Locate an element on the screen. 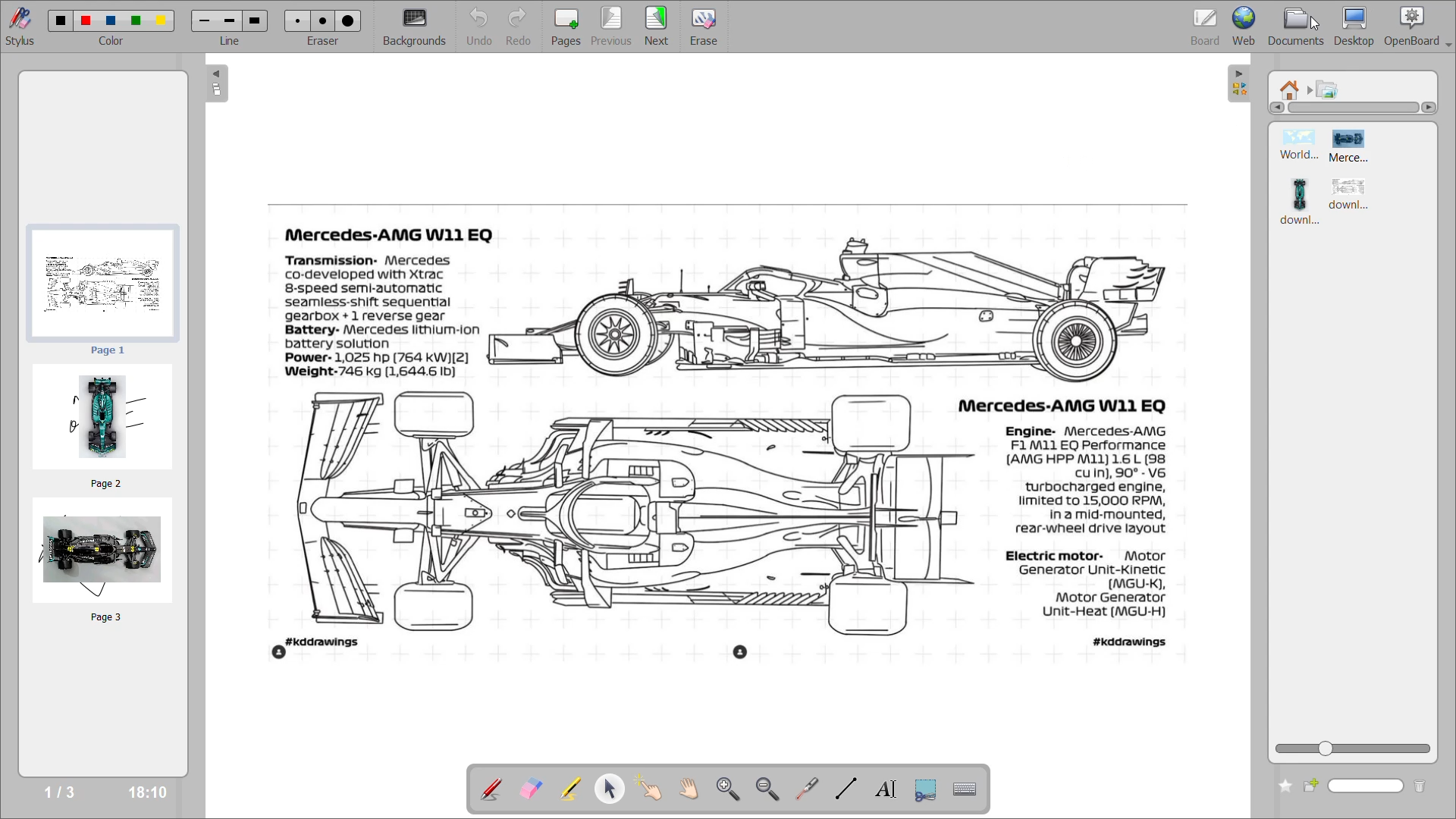  mercedes image is located at coordinates (833, 310).